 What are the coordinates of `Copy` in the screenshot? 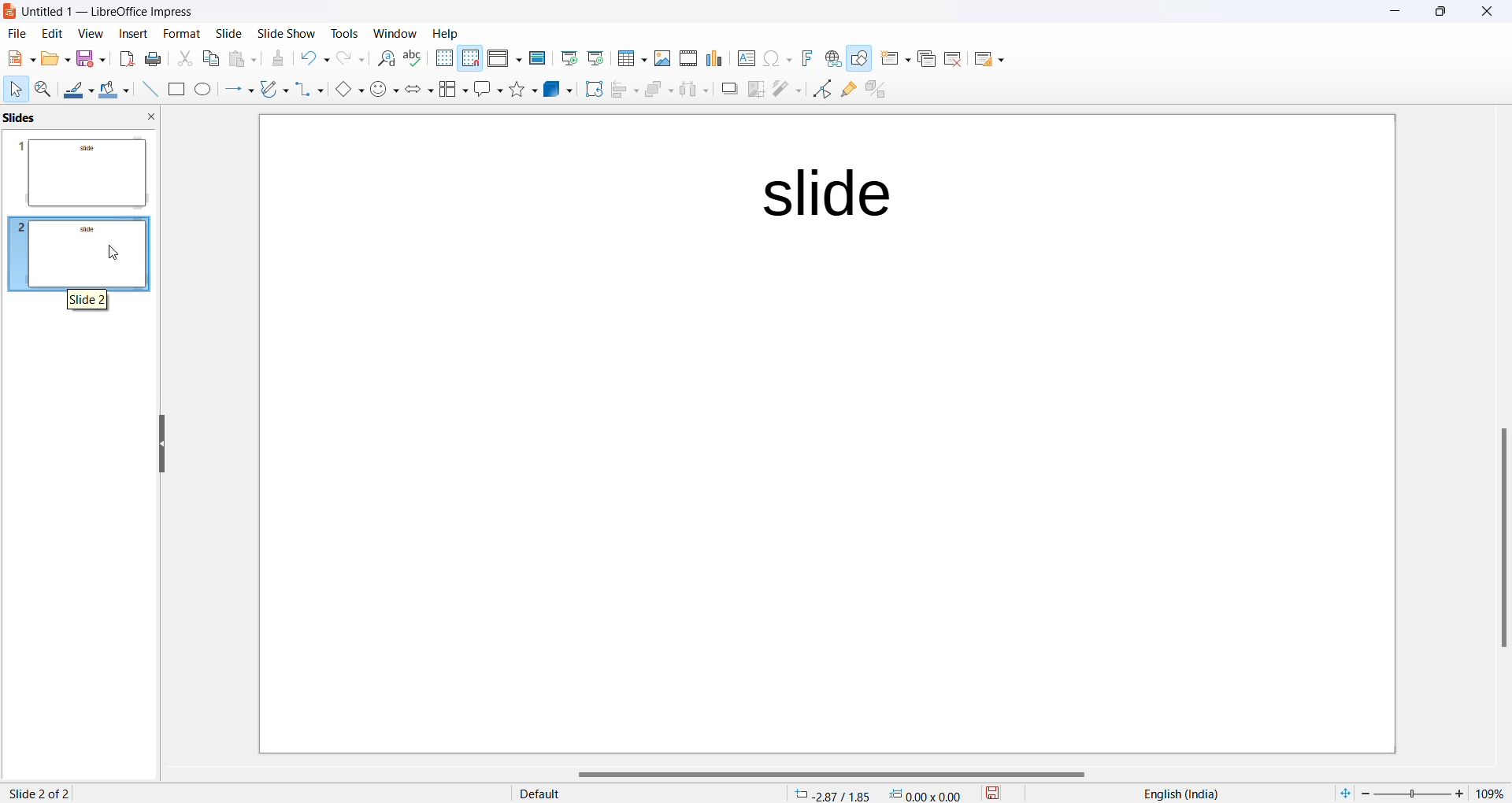 It's located at (209, 60).